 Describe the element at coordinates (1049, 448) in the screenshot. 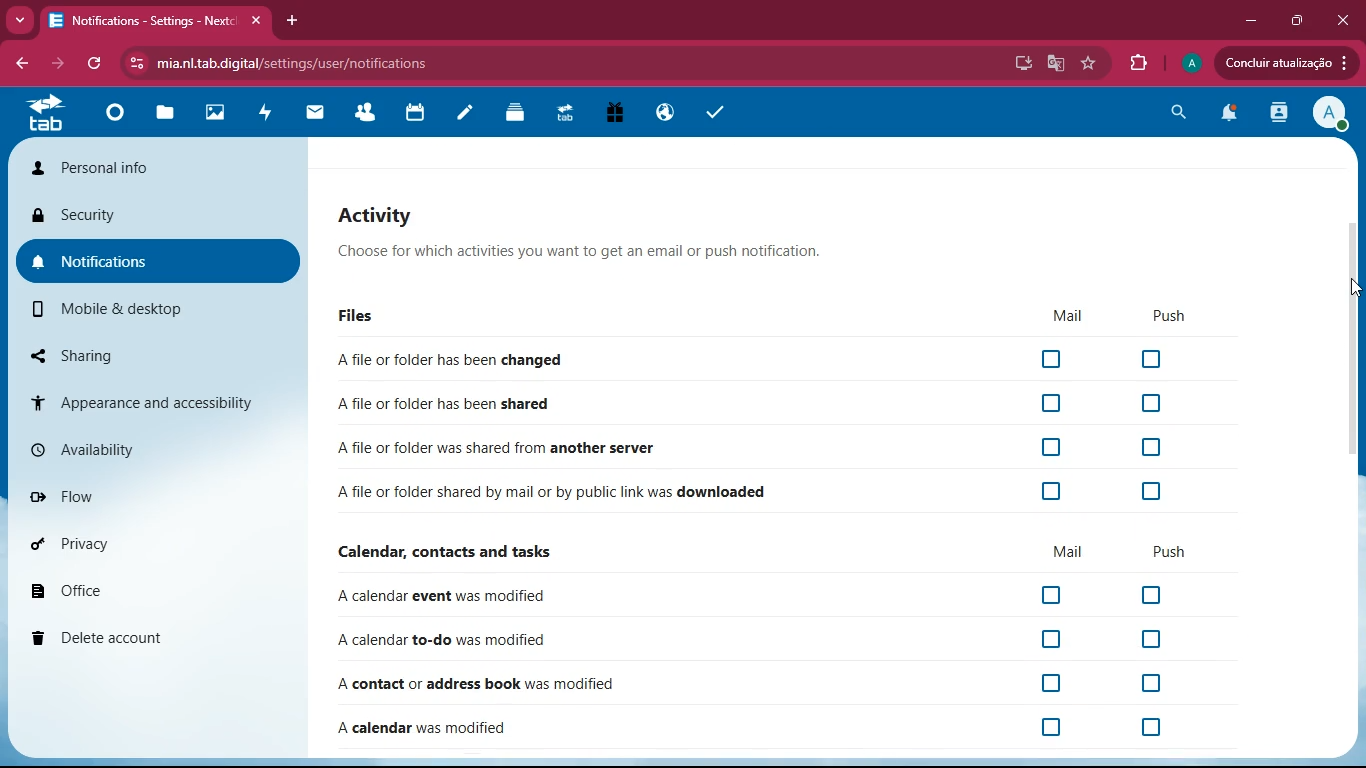

I see `checkbox` at that location.